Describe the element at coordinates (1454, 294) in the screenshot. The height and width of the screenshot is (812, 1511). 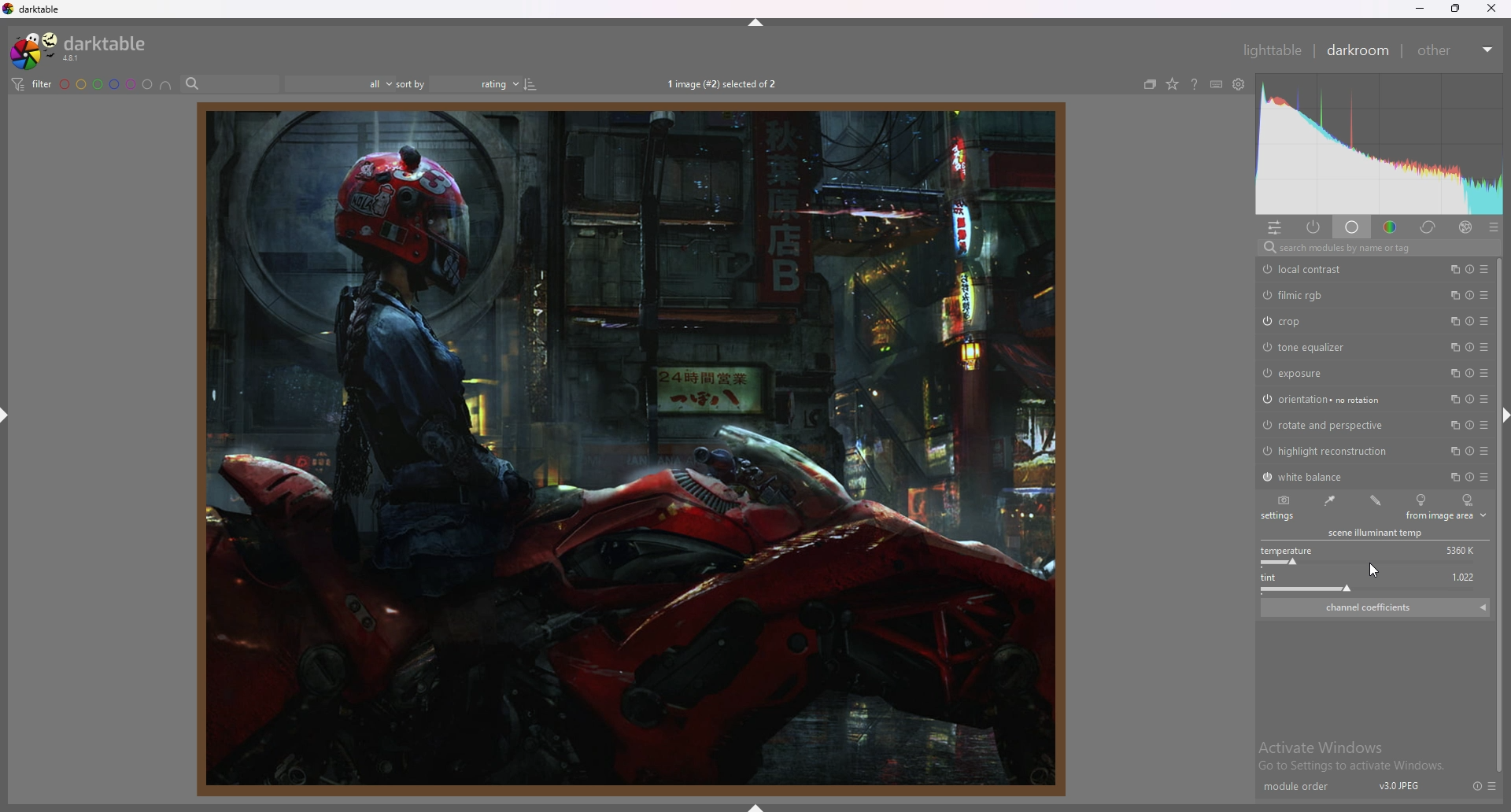
I see `multiple instances action` at that location.